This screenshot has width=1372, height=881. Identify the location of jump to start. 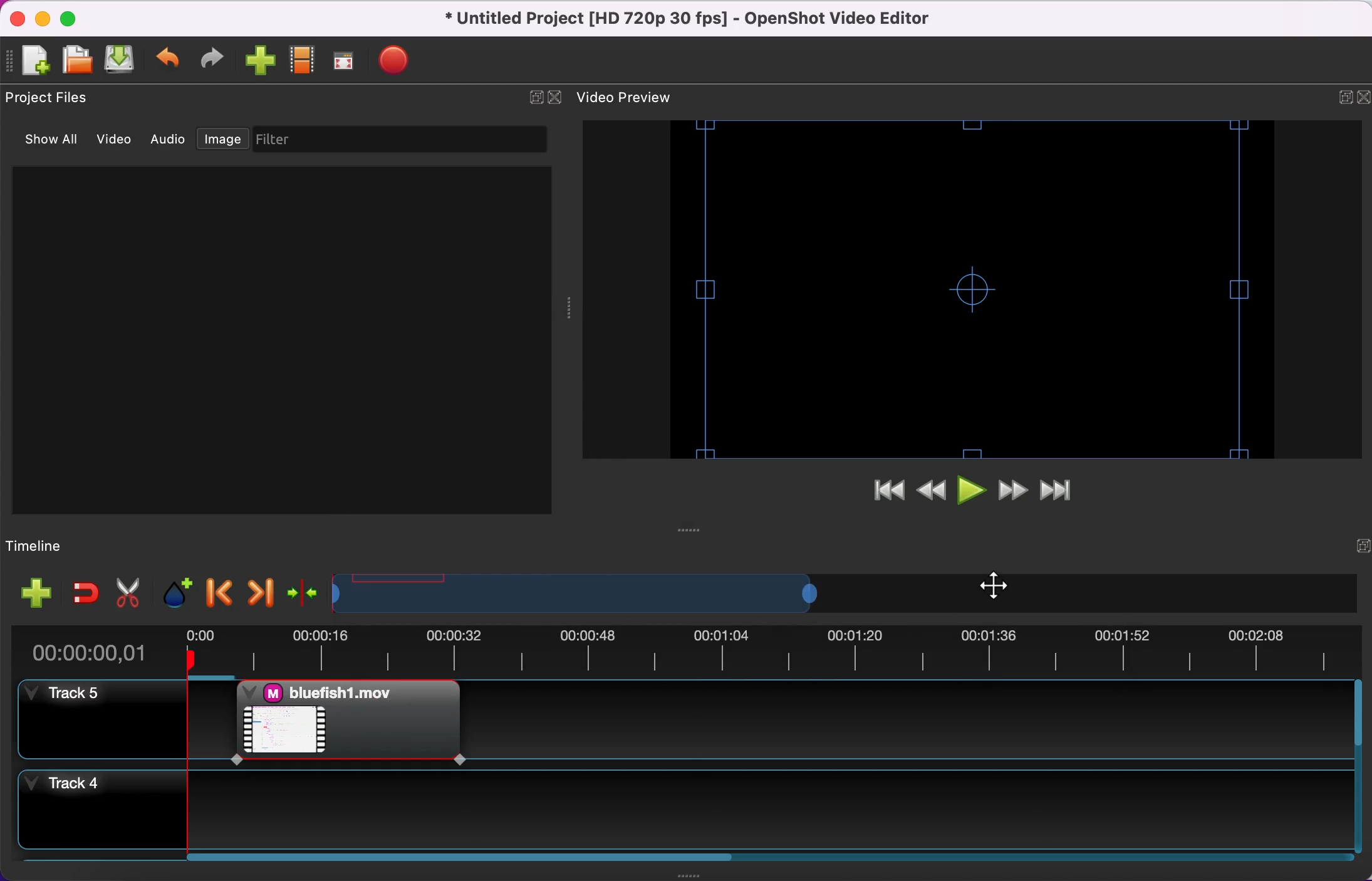
(885, 493).